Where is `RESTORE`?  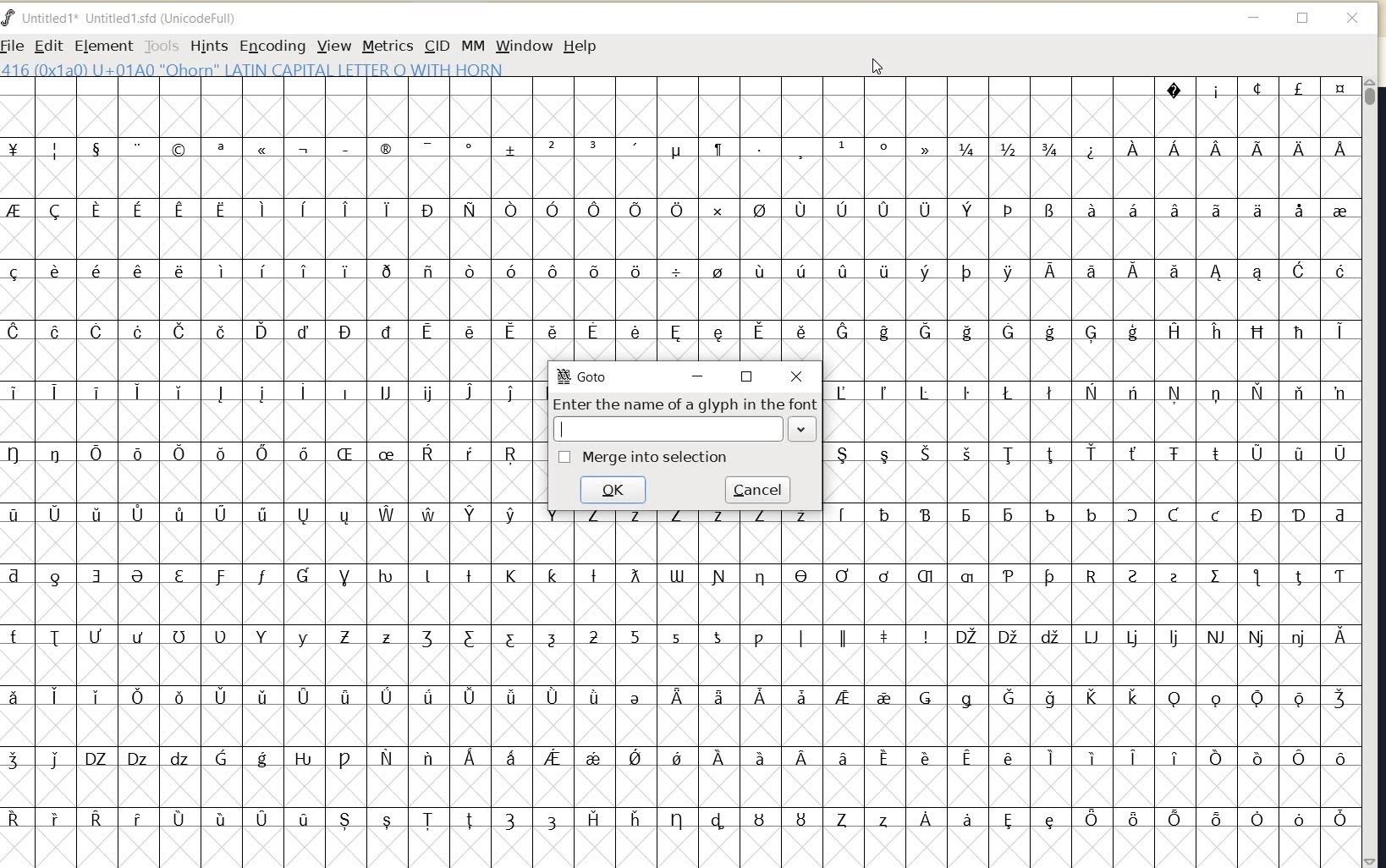 RESTORE is located at coordinates (1302, 19).